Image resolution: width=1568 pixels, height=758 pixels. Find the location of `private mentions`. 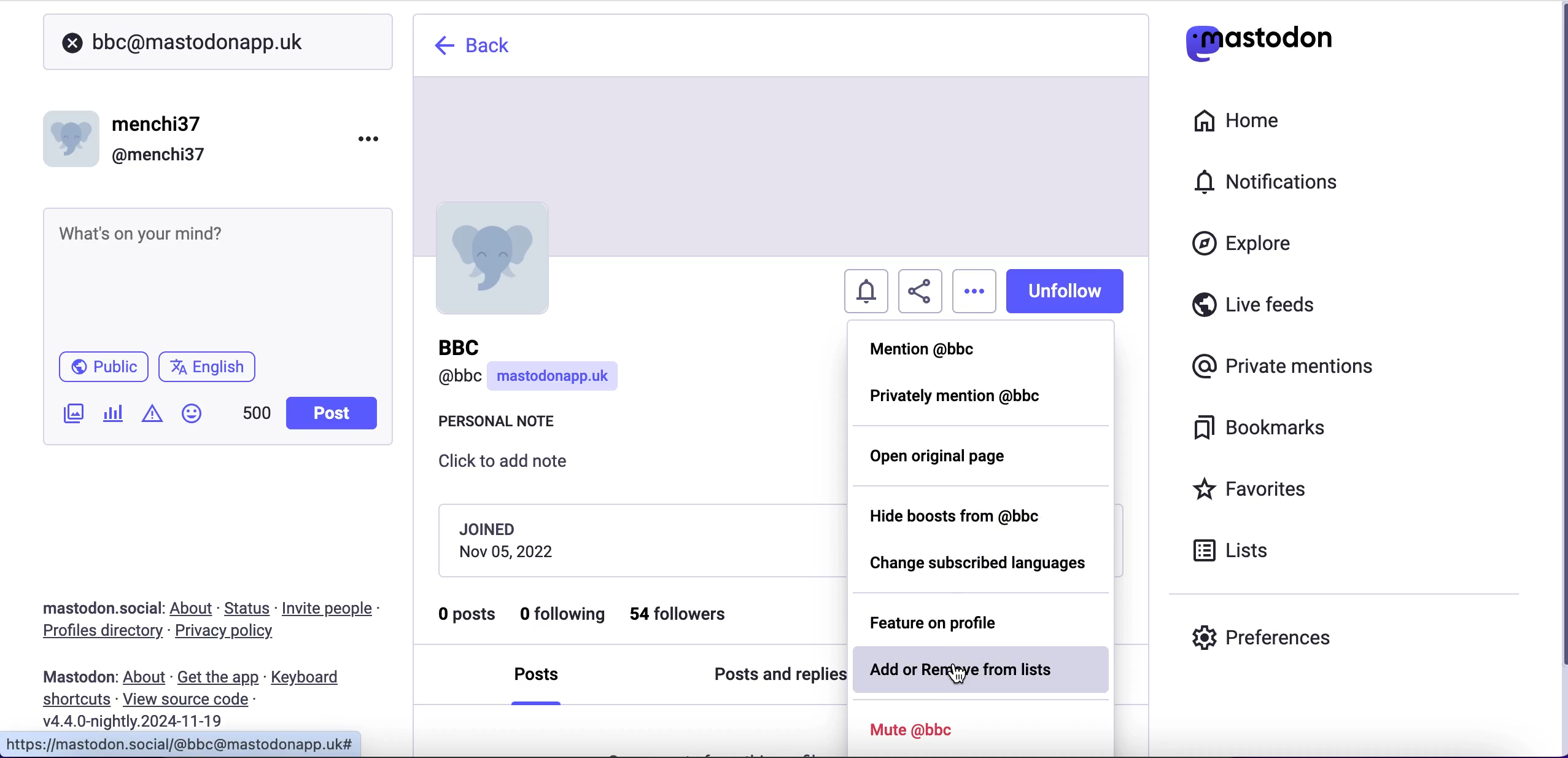

private mentions is located at coordinates (1287, 363).